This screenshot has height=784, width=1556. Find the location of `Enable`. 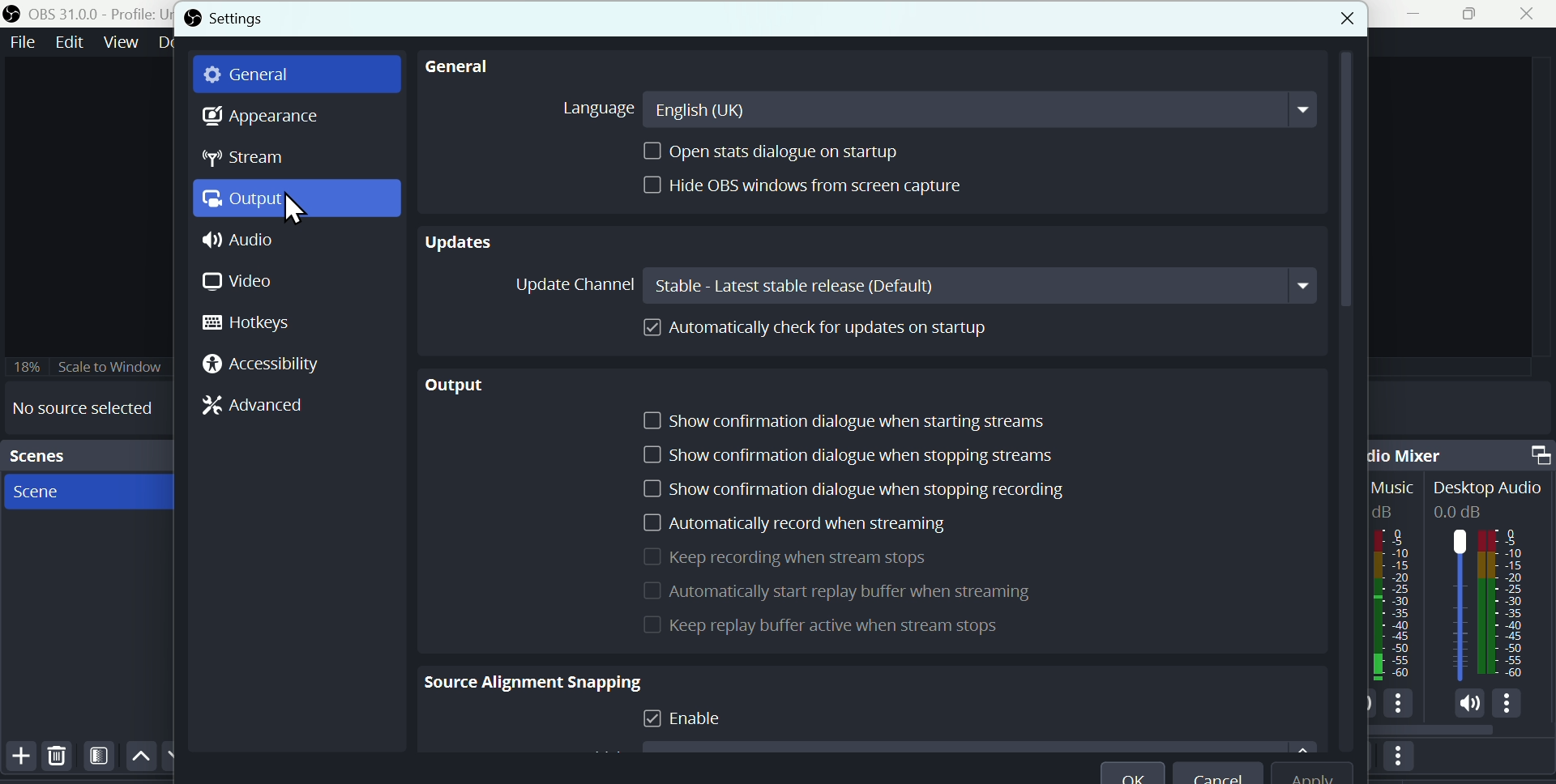

Enable is located at coordinates (675, 718).